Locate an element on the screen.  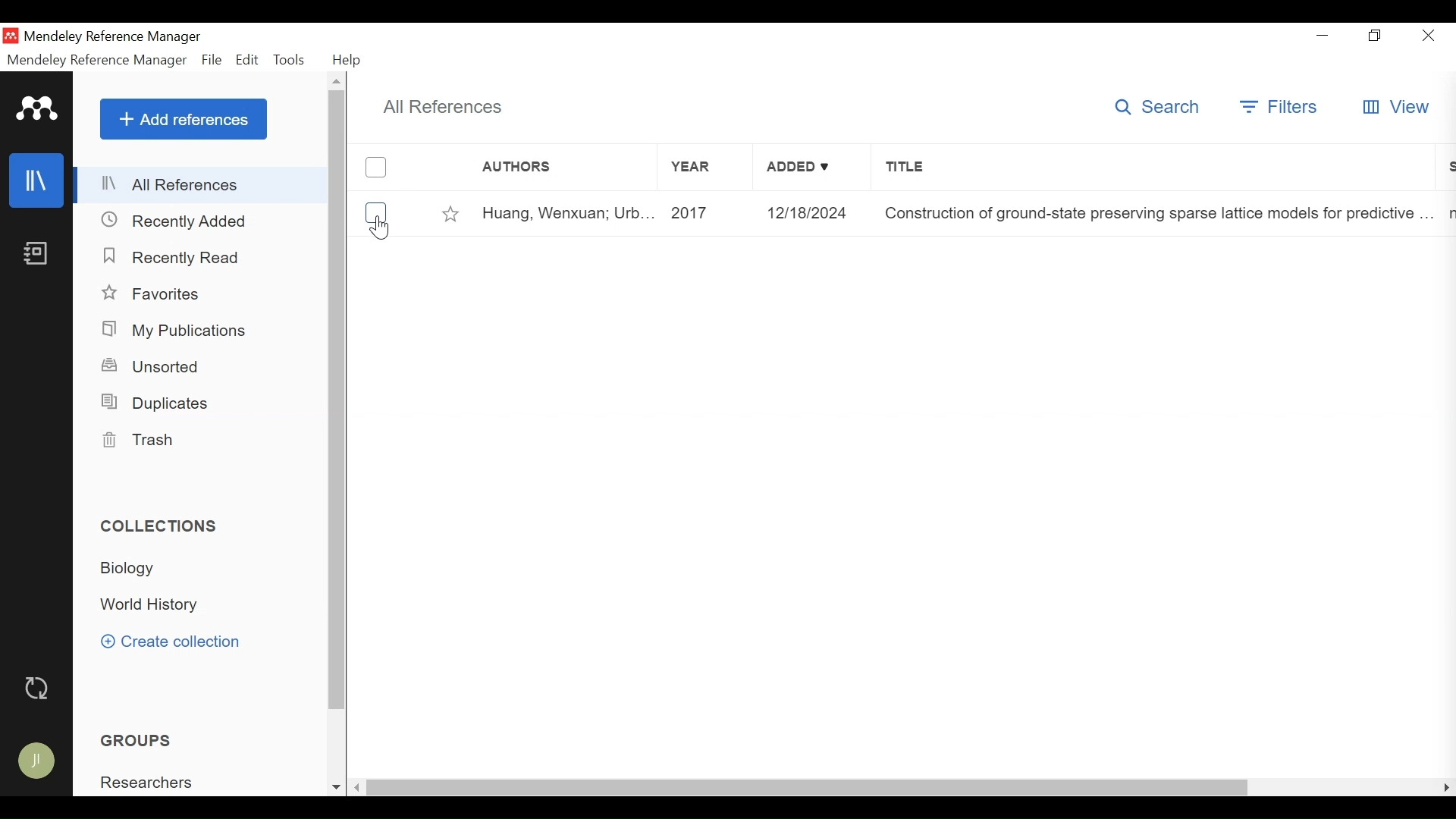
Mendeley Desktop Icon is located at coordinates (10, 35).